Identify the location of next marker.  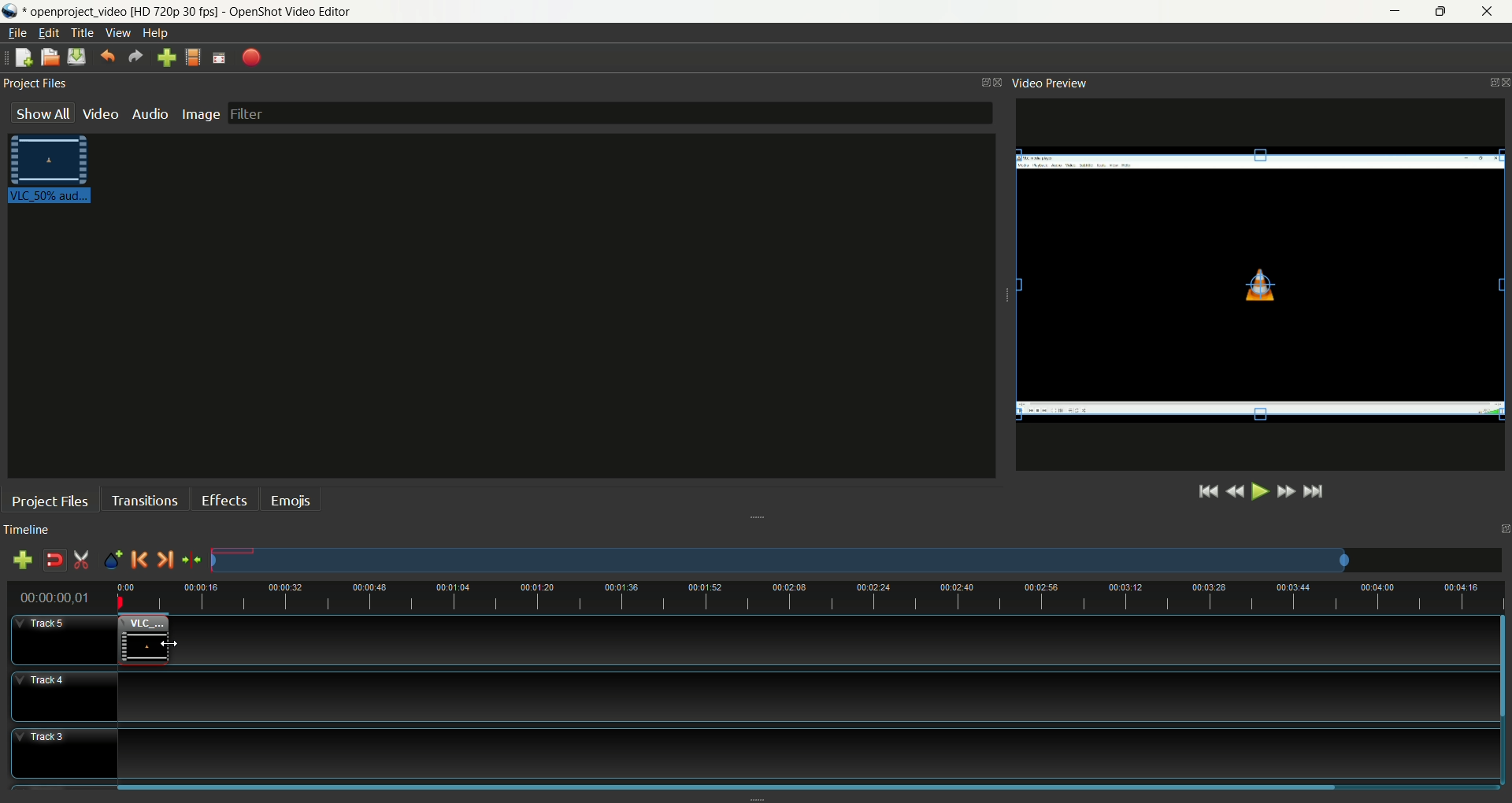
(165, 560).